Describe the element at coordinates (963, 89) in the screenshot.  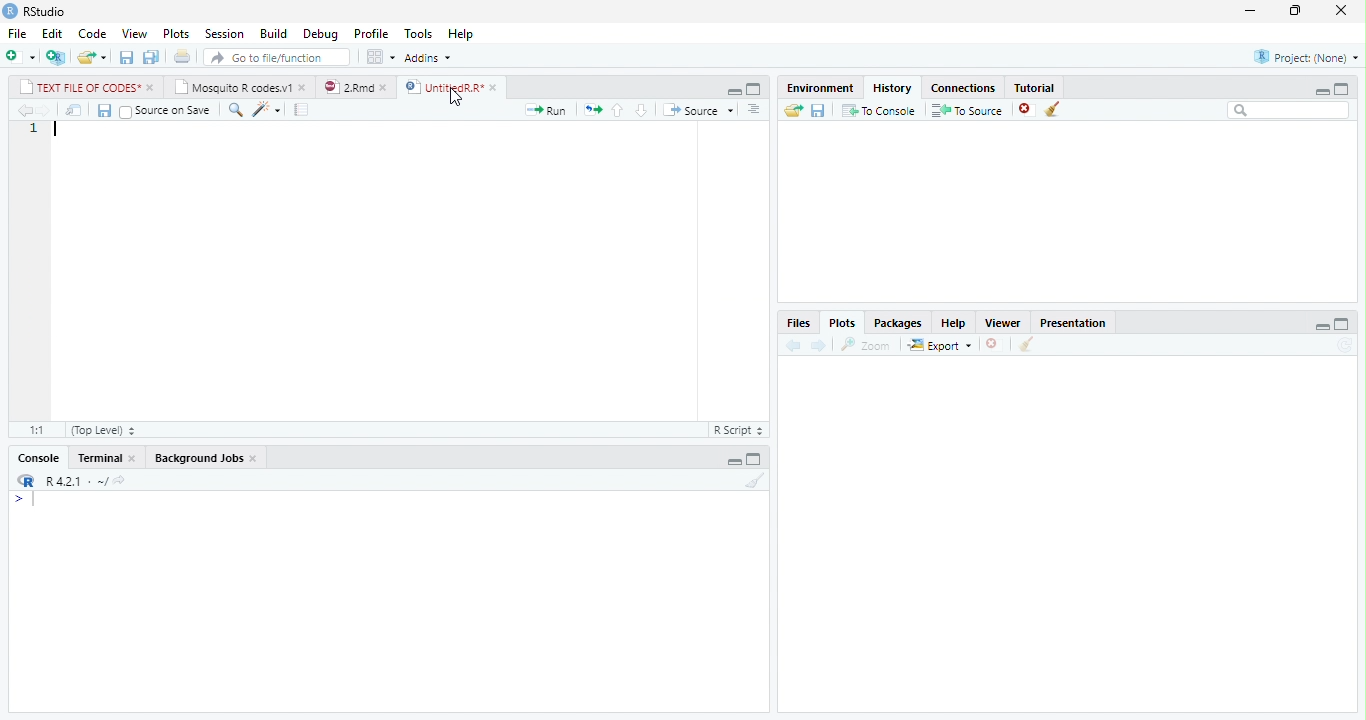
I see `Connections` at that location.